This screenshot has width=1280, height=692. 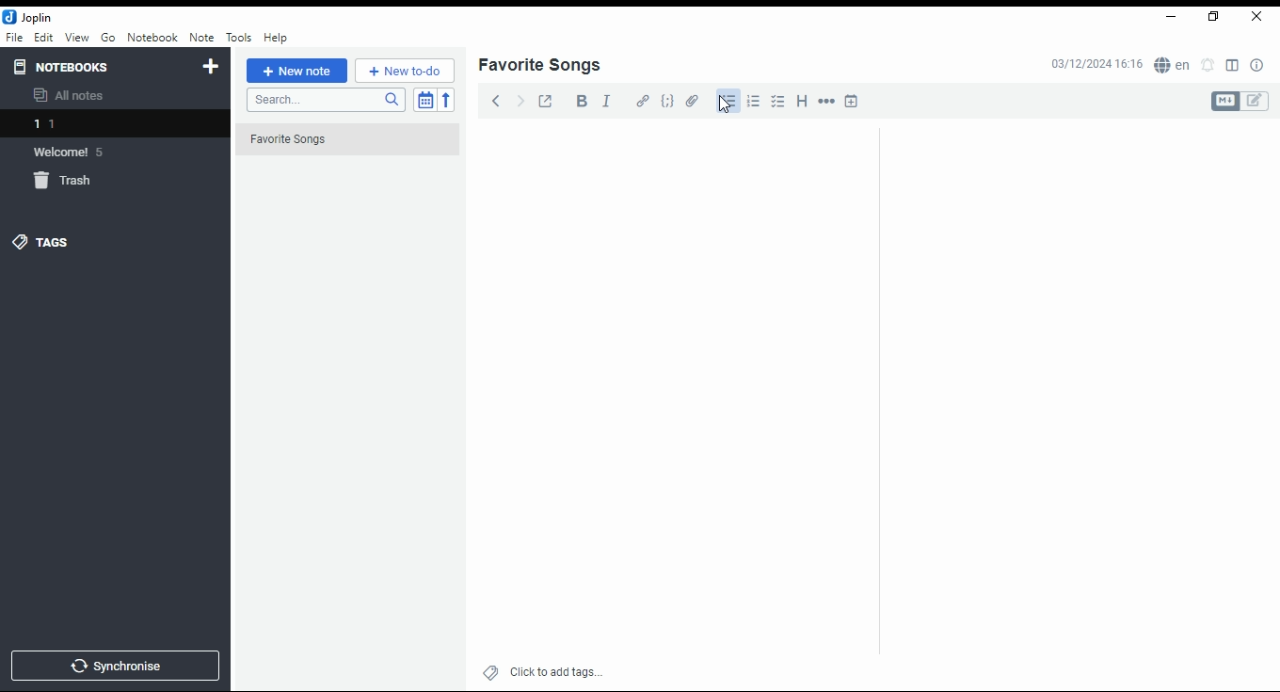 What do you see at coordinates (546, 100) in the screenshot?
I see `toggle external editing` at bounding box center [546, 100].